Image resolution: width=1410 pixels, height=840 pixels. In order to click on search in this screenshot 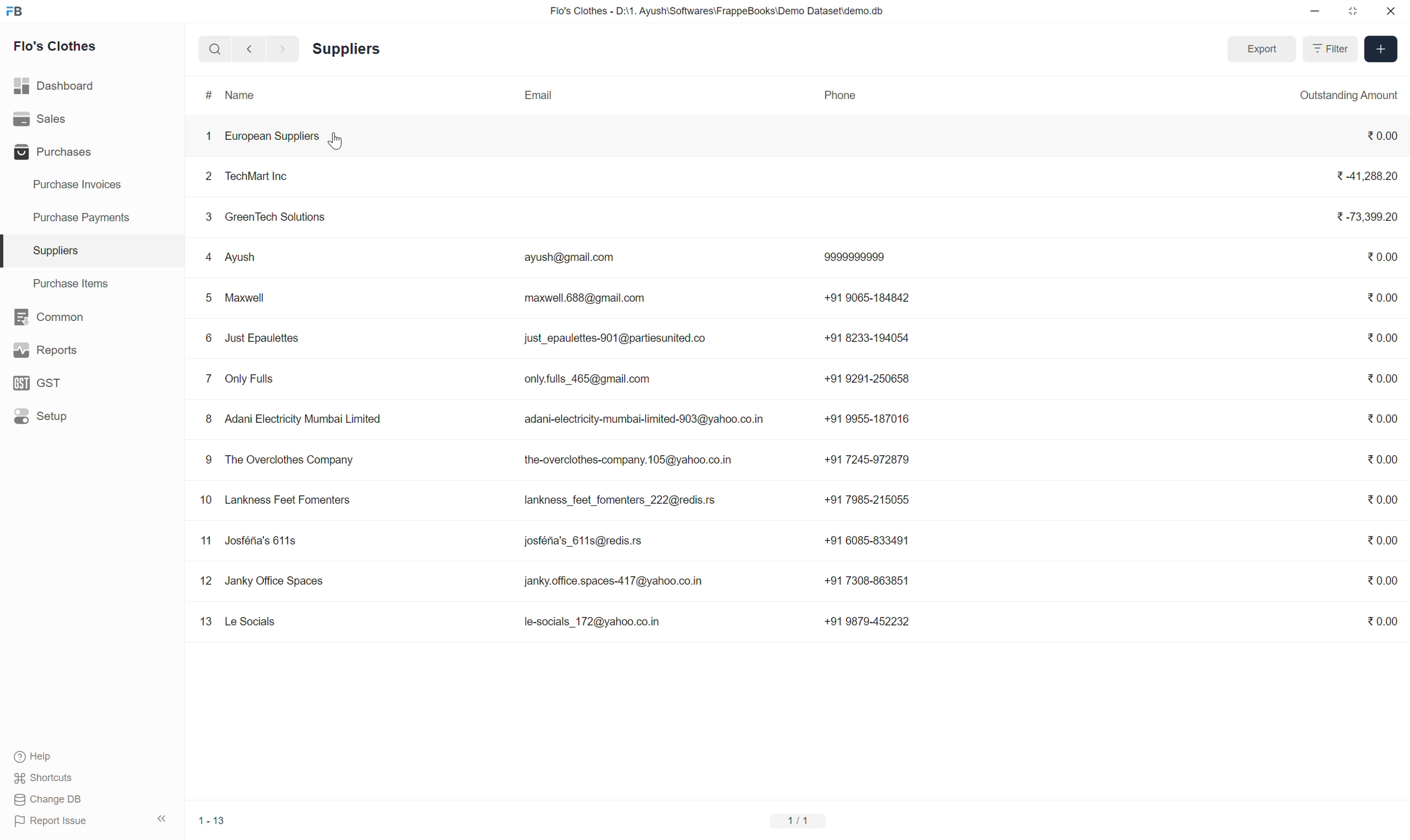, I will do `click(210, 48)`.